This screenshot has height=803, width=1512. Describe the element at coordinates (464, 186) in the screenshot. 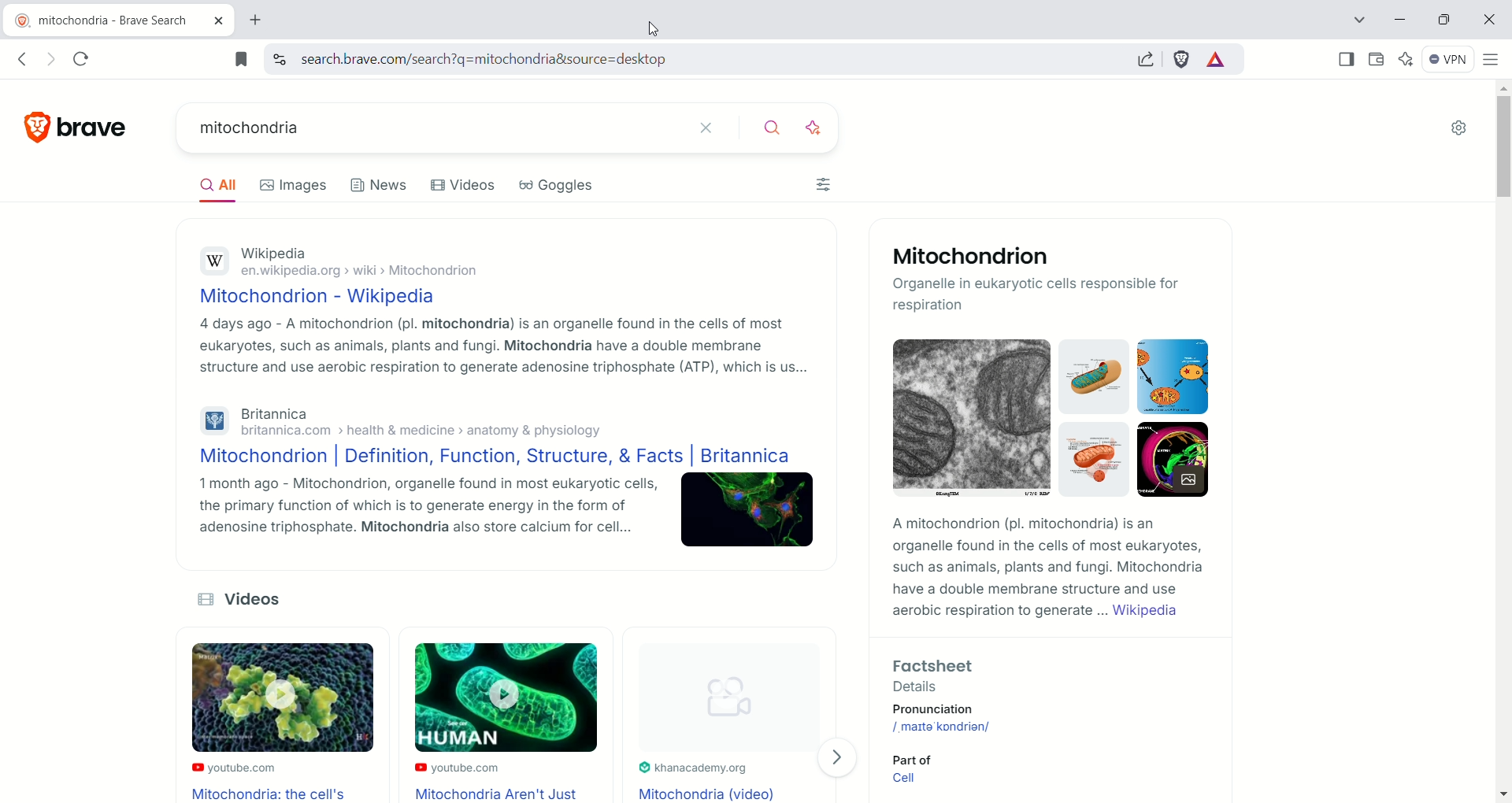

I see `Videos` at that location.